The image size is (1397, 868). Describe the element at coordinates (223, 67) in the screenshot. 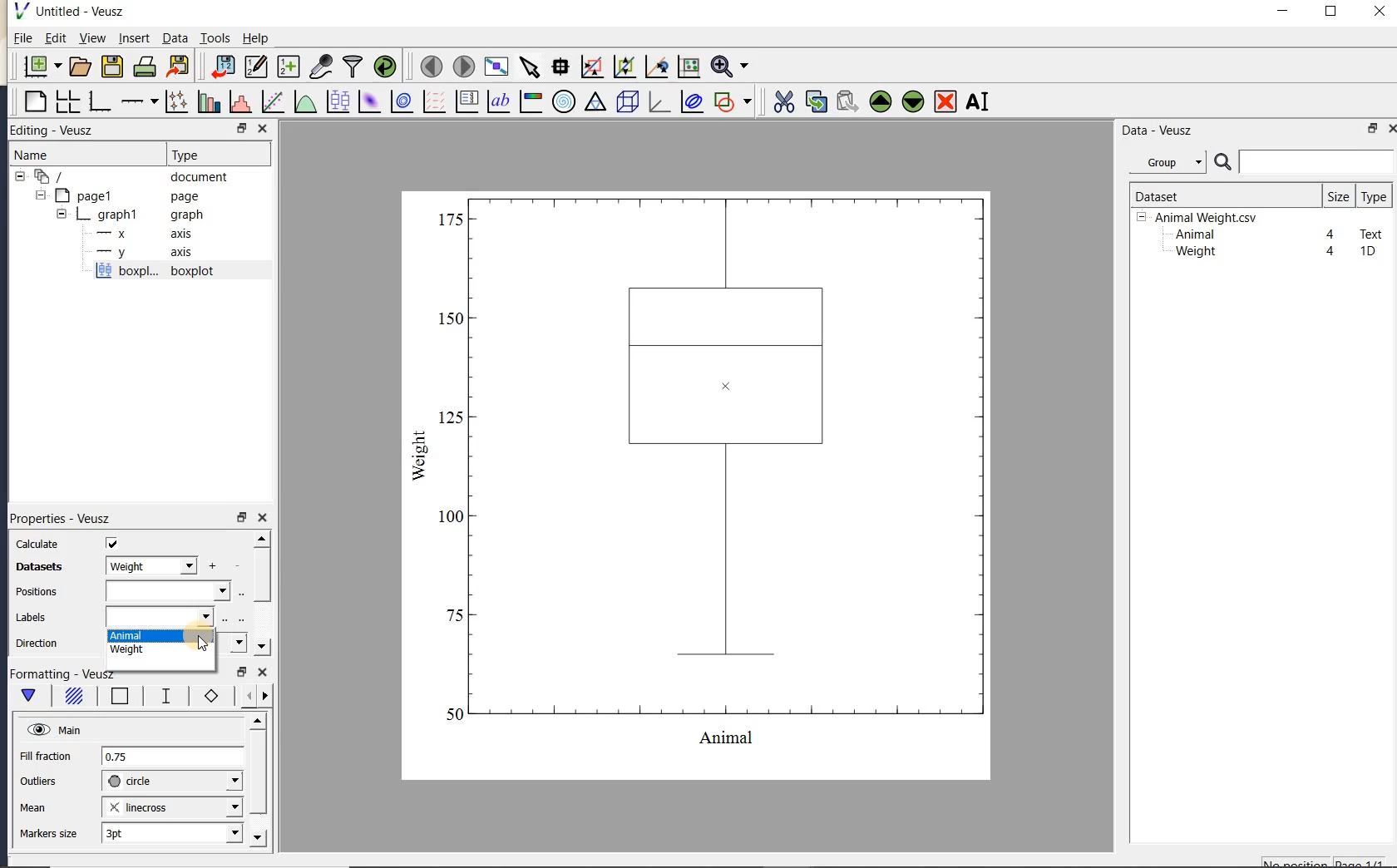

I see `import data into Veusz` at that location.